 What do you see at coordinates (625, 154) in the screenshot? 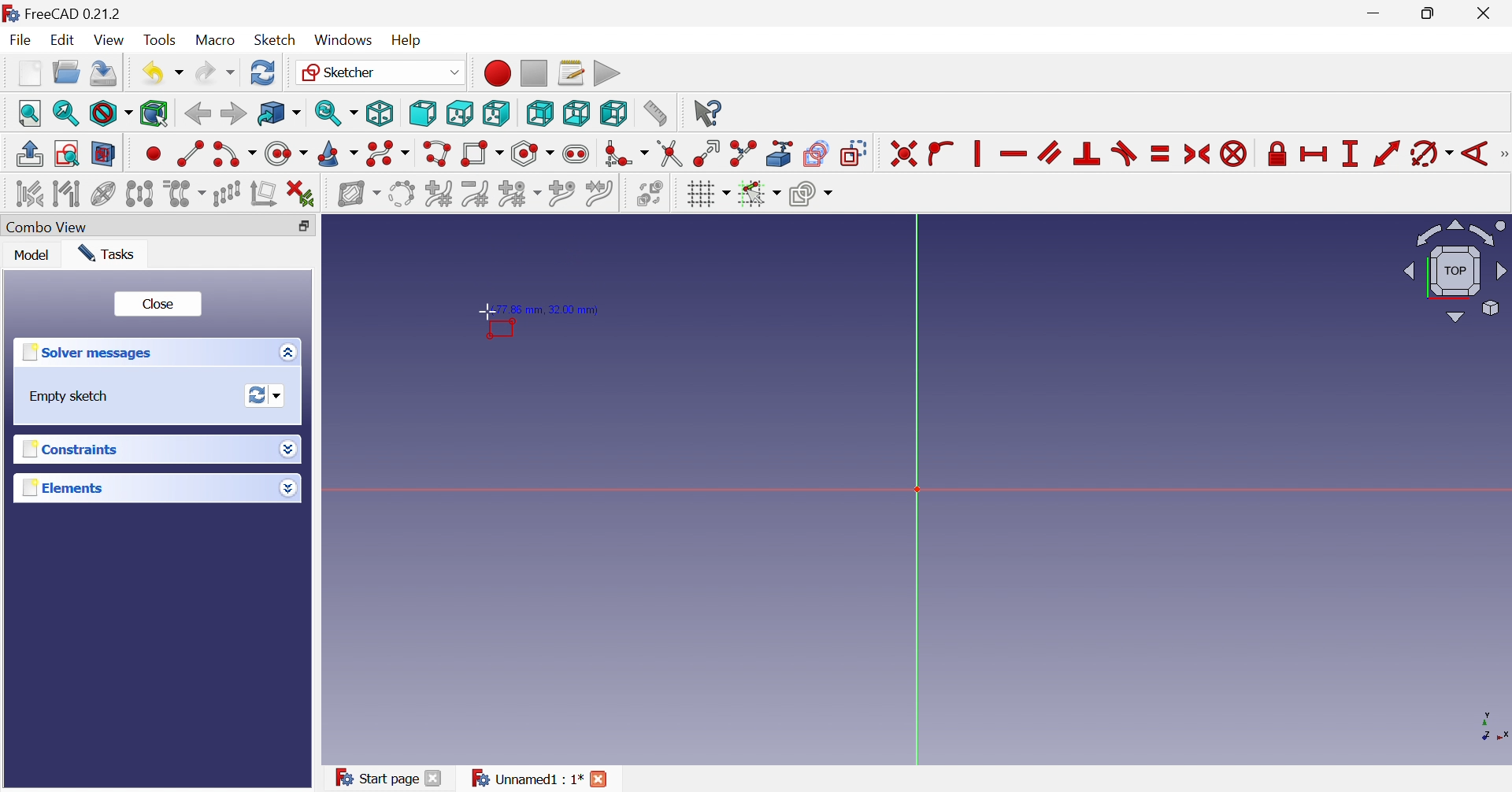
I see `Create fillet` at bounding box center [625, 154].